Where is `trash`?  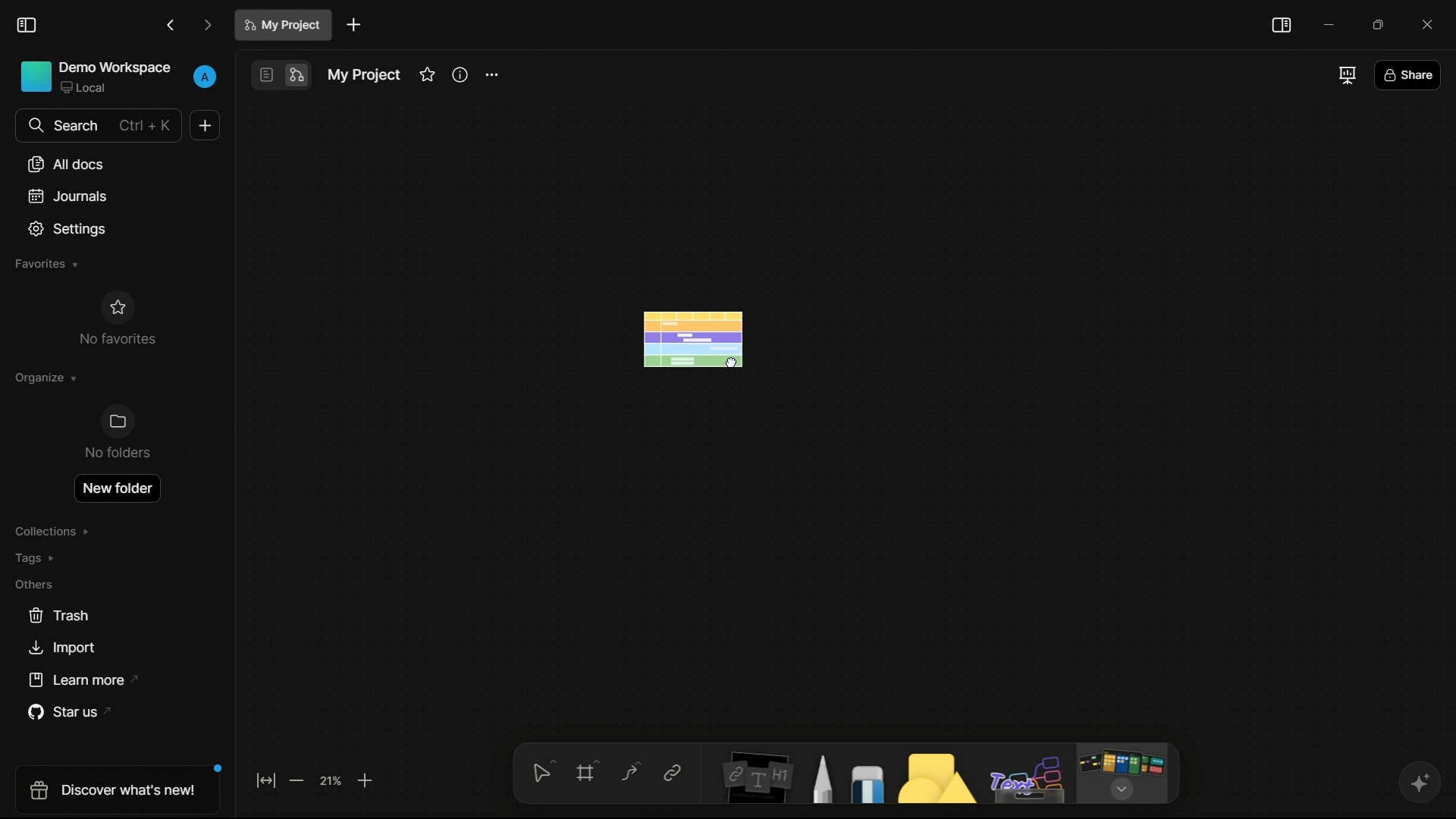
trash is located at coordinates (58, 617).